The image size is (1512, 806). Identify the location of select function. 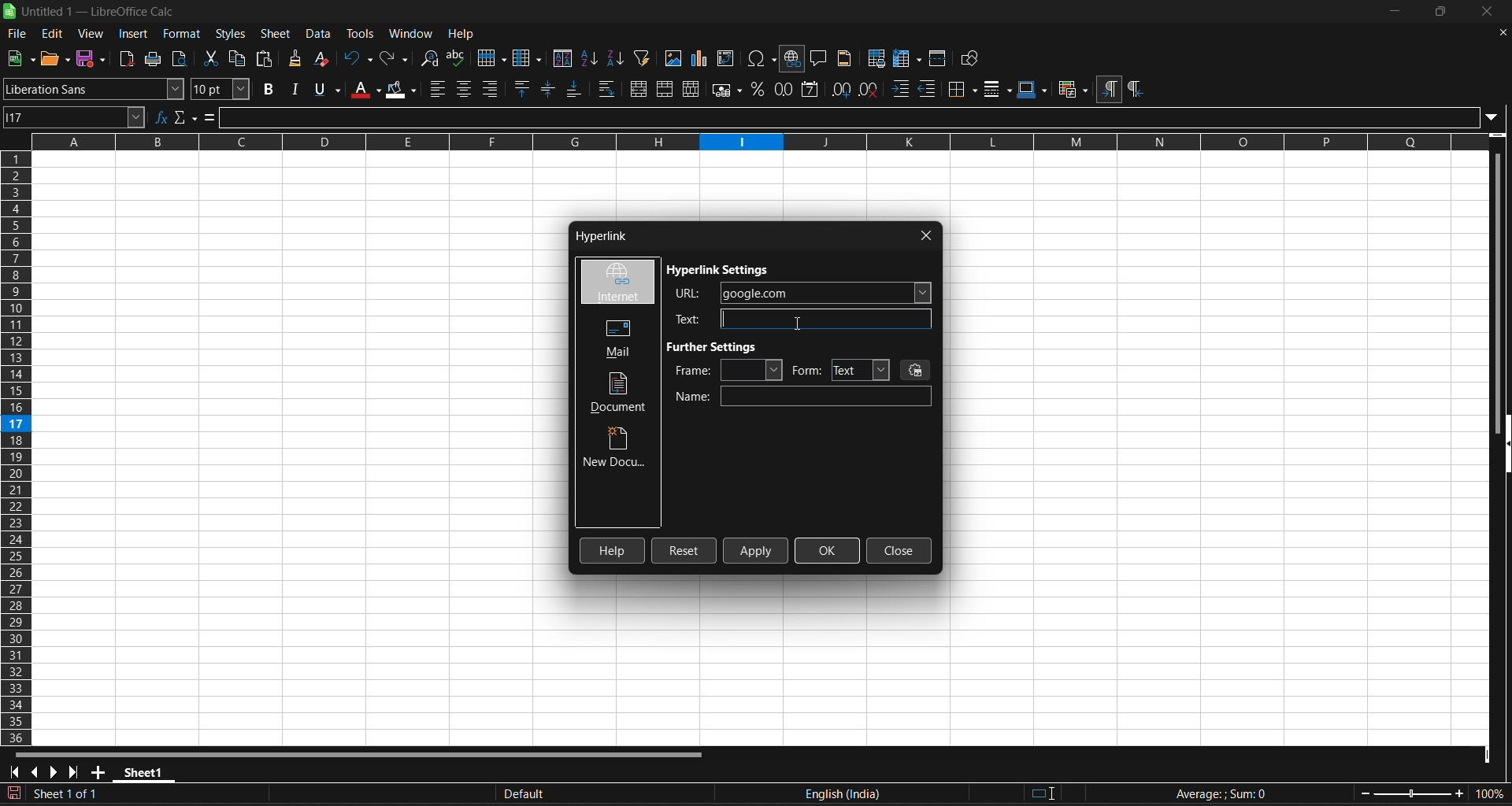
(187, 117).